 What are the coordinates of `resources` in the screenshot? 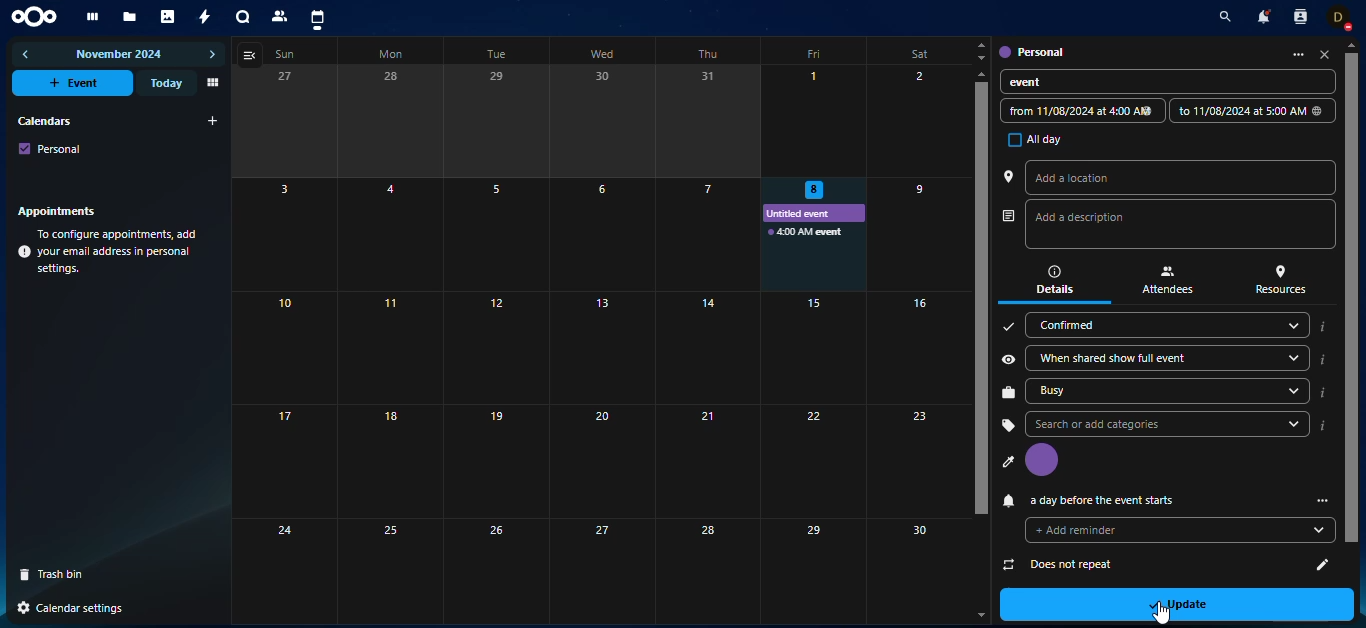 It's located at (1283, 280).